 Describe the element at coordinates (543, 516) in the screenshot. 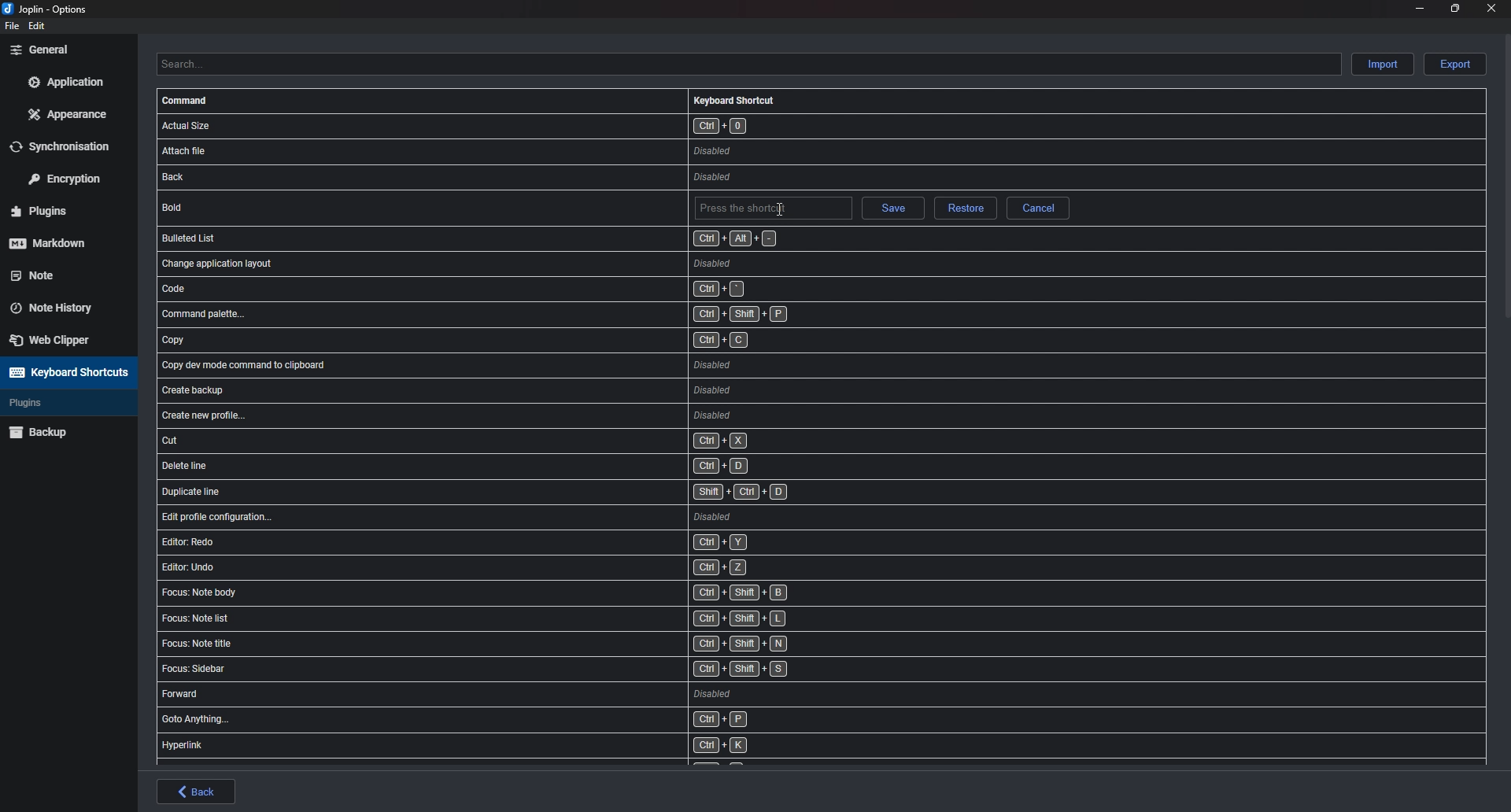

I see `shortcut` at that location.